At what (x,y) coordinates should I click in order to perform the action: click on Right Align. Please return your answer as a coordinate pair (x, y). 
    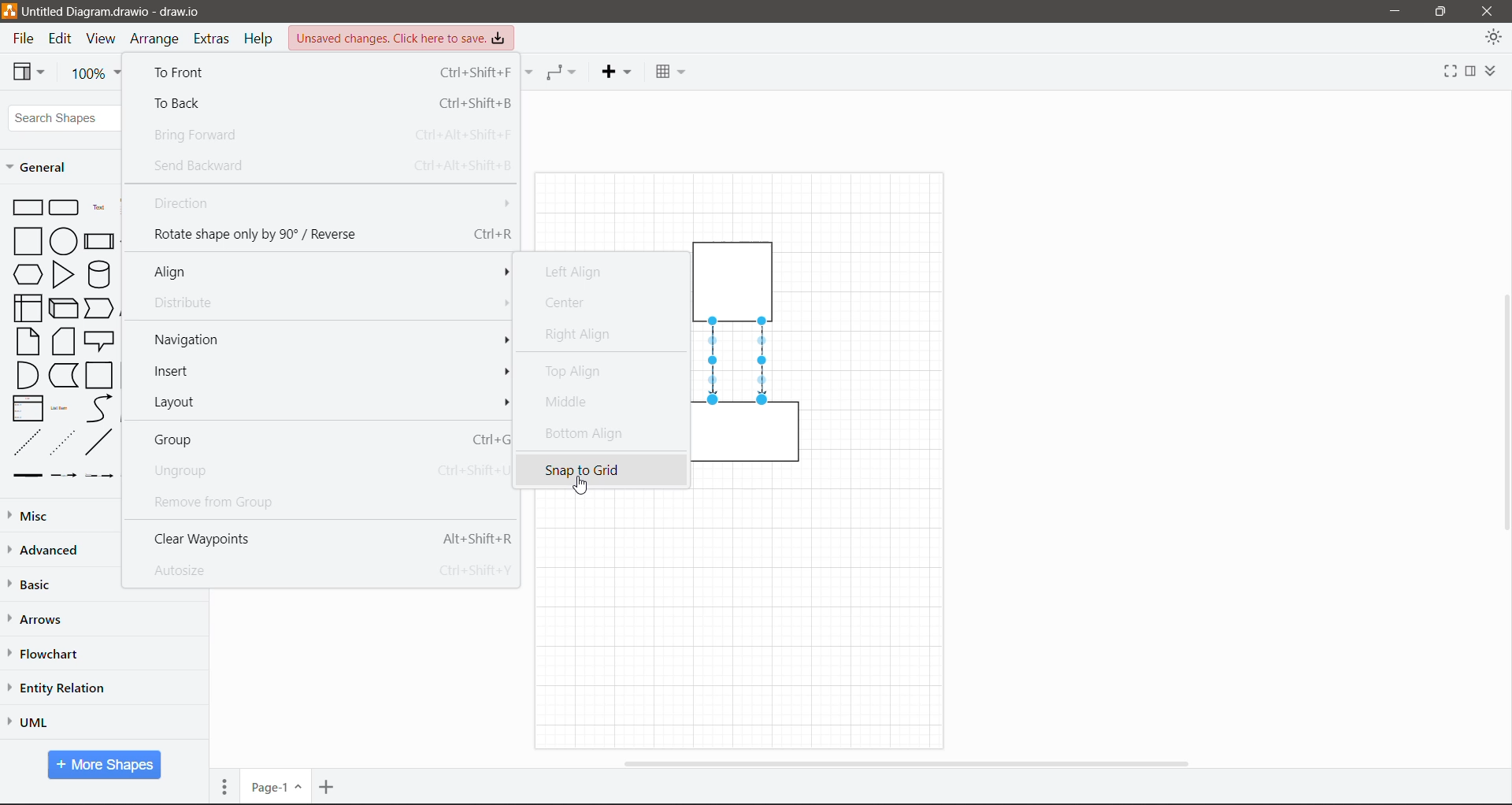
    Looking at the image, I should click on (579, 334).